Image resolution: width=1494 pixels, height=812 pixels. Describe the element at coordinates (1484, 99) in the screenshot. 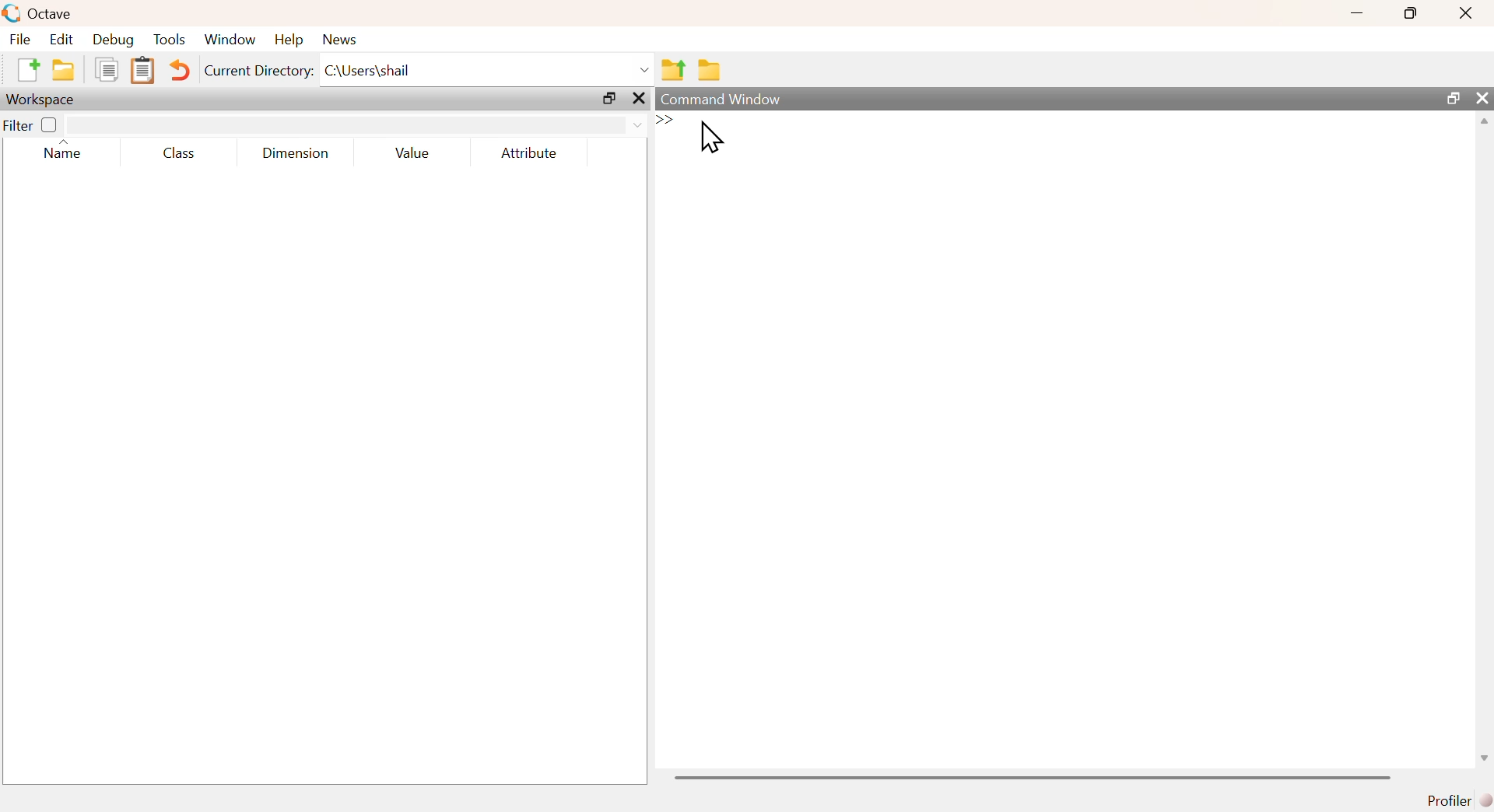

I see `close` at that location.